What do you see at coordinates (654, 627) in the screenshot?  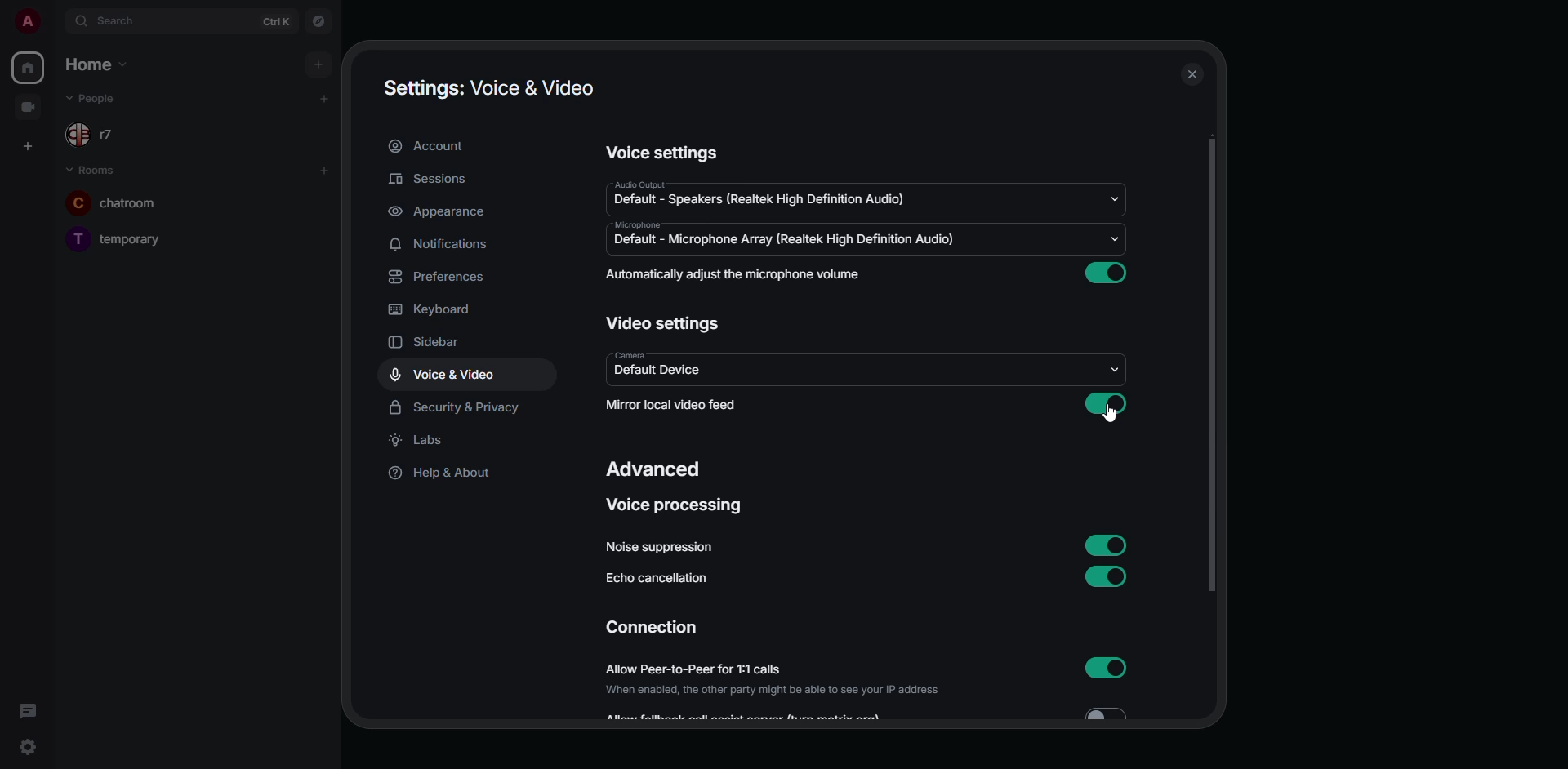 I see `connection` at bounding box center [654, 627].